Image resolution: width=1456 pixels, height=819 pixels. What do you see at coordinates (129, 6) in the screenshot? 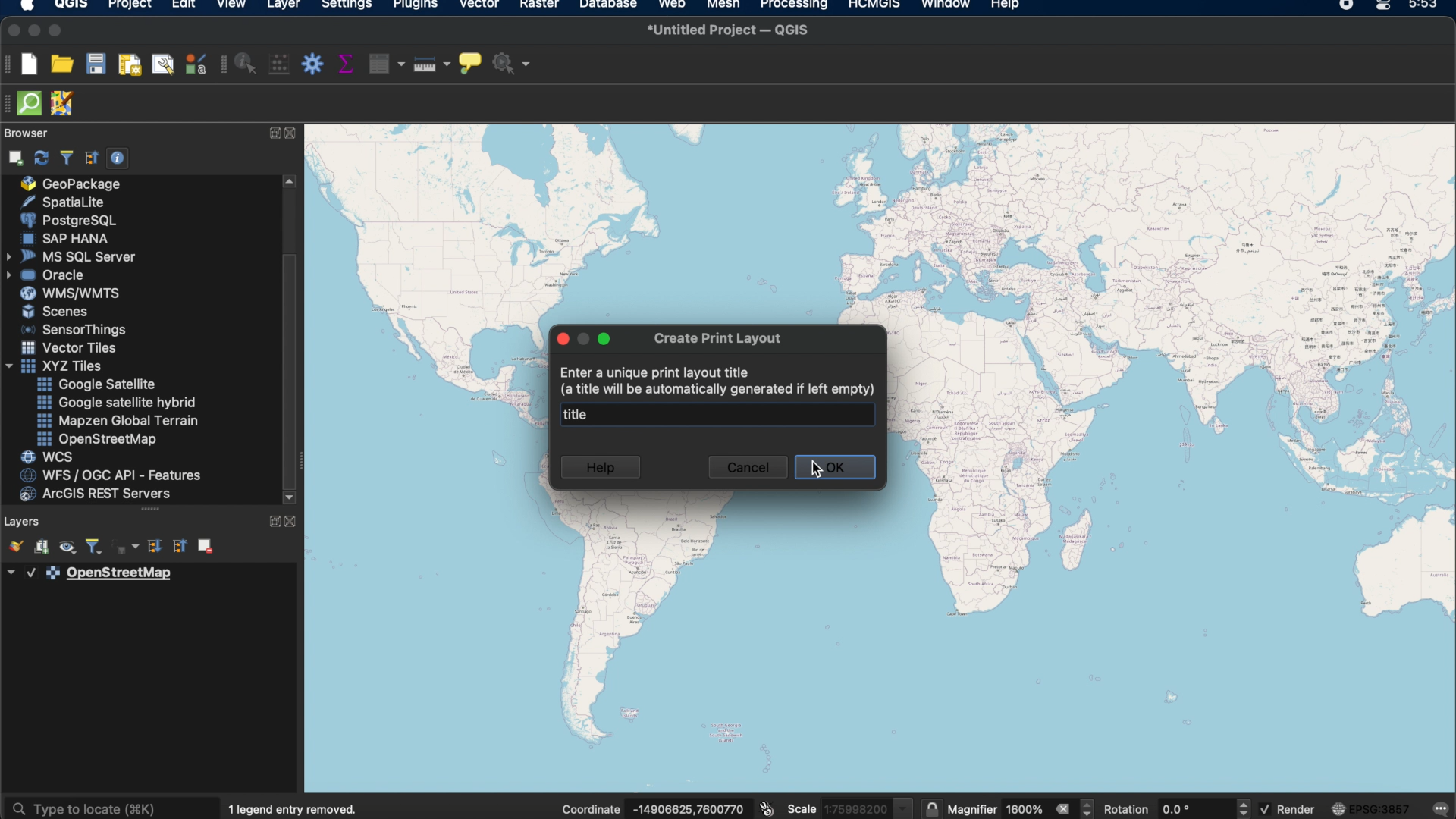
I see `project` at bounding box center [129, 6].